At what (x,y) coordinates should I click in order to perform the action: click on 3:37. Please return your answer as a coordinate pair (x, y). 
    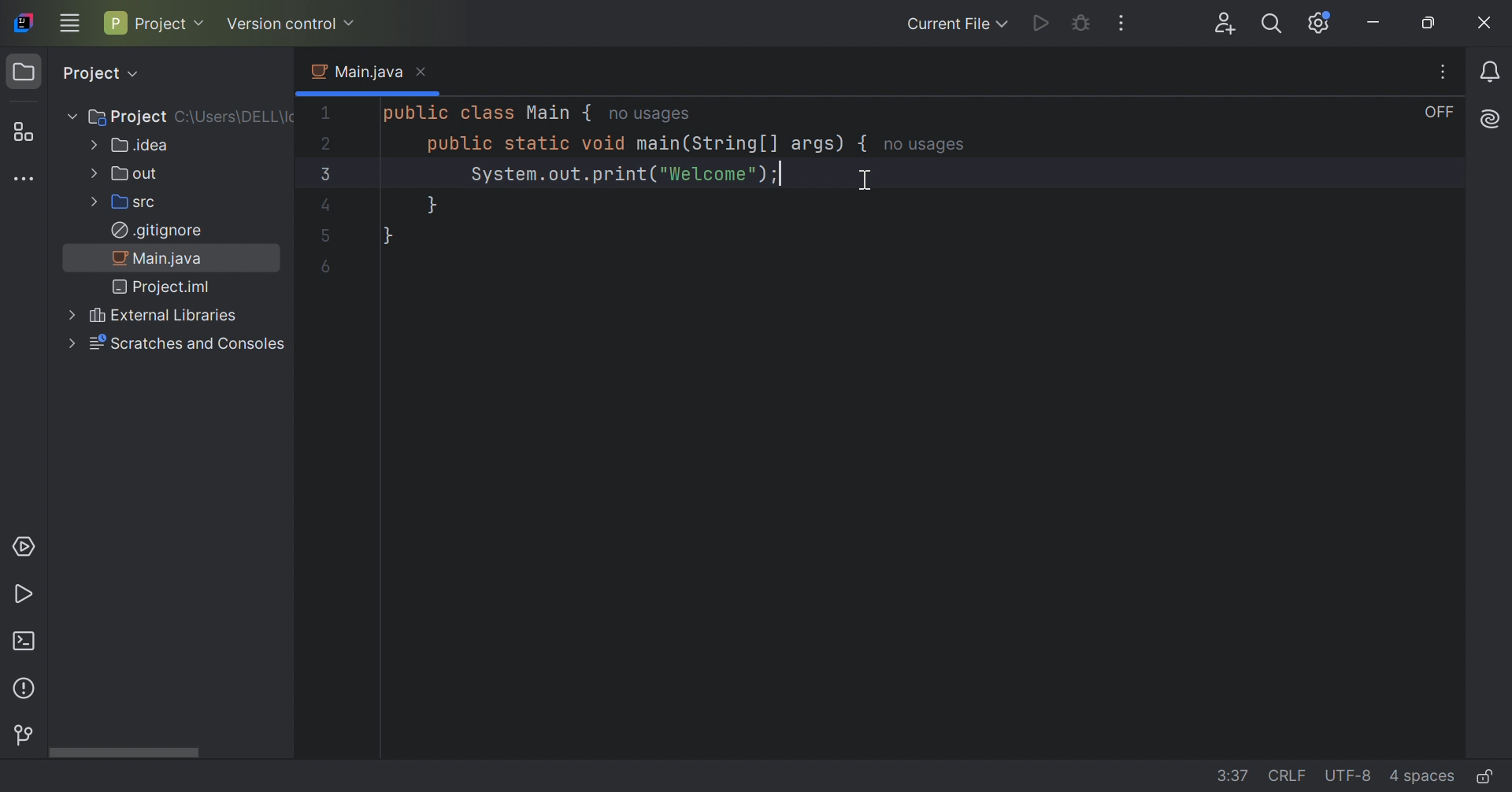
    Looking at the image, I should click on (1234, 775).